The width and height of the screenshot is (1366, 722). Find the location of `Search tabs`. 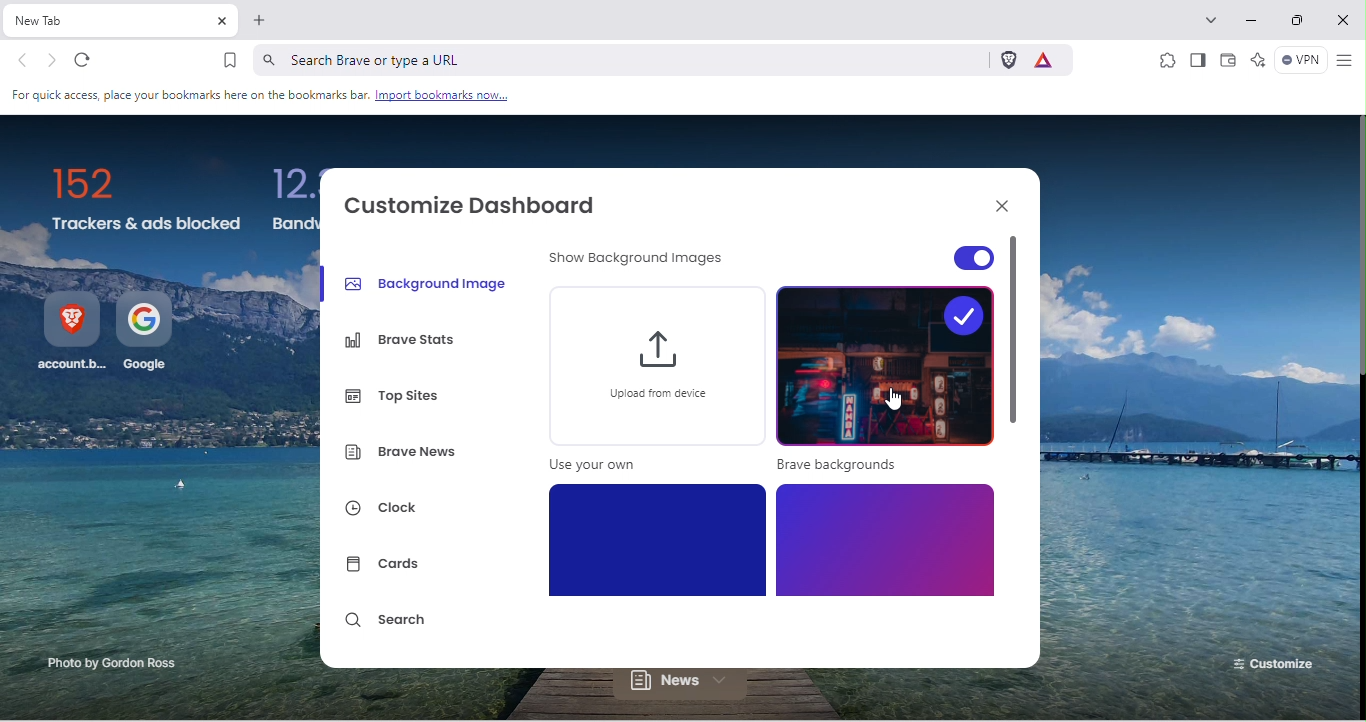

Search tabs is located at coordinates (1215, 18).